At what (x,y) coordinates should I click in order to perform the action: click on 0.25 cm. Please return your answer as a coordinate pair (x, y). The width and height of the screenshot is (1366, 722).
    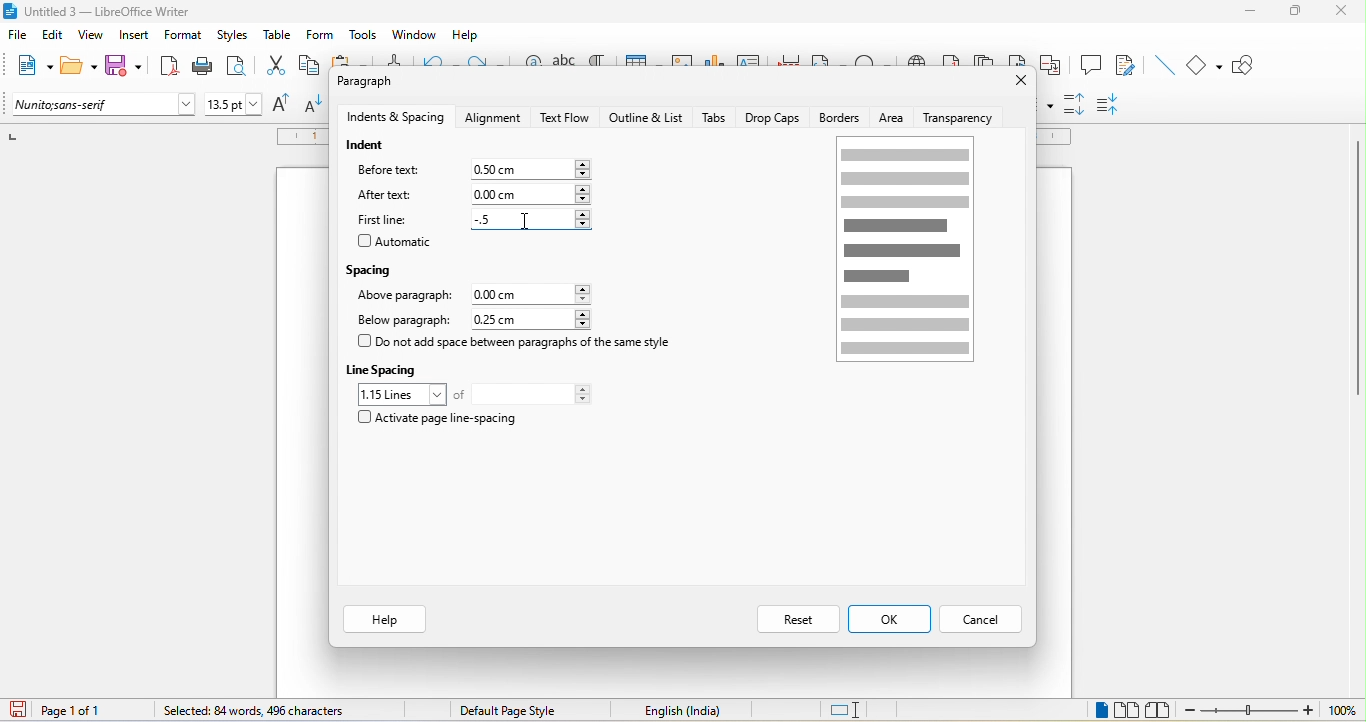
    Looking at the image, I should click on (517, 320).